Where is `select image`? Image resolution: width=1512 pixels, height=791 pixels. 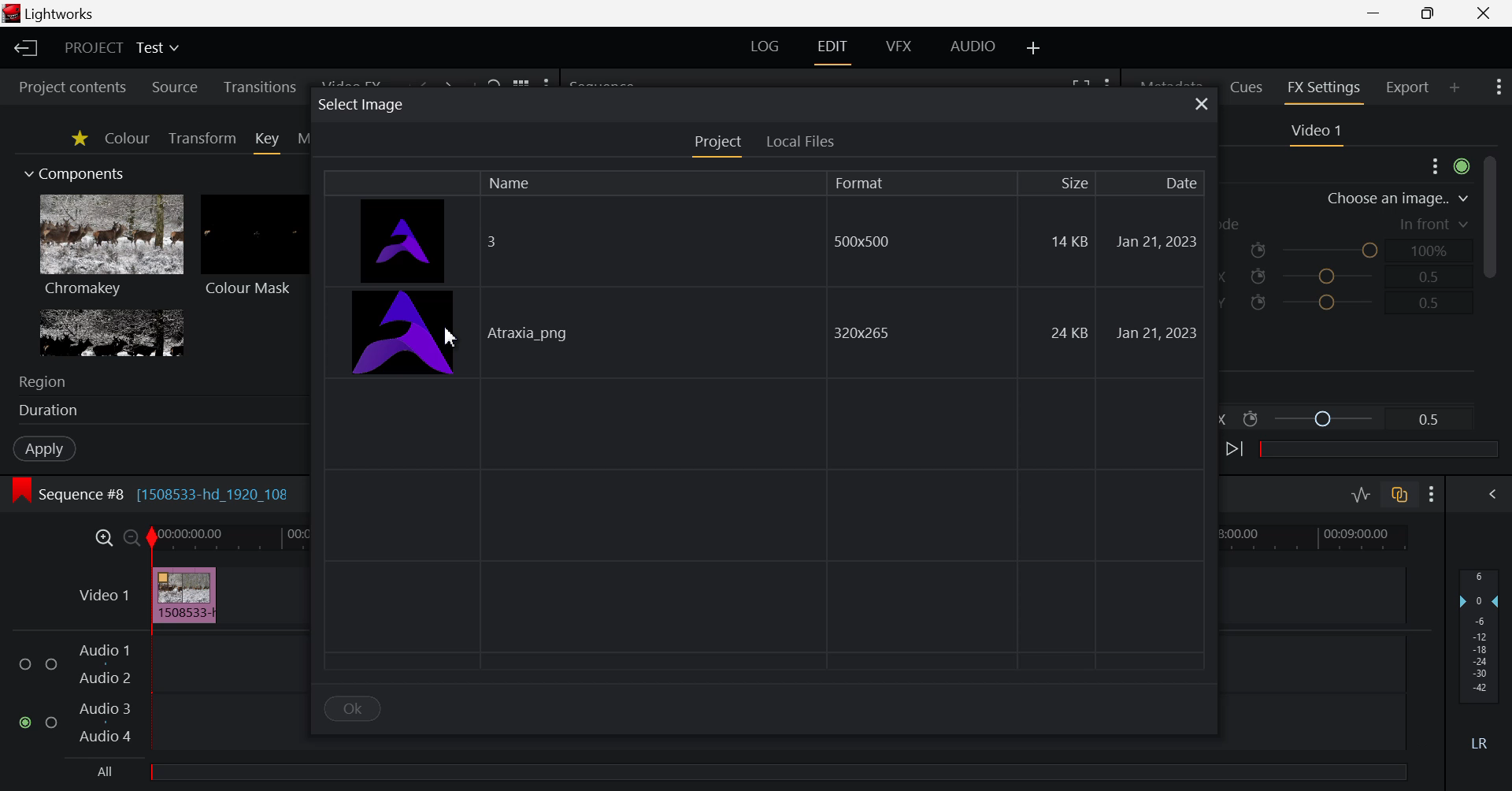
select image is located at coordinates (362, 105).